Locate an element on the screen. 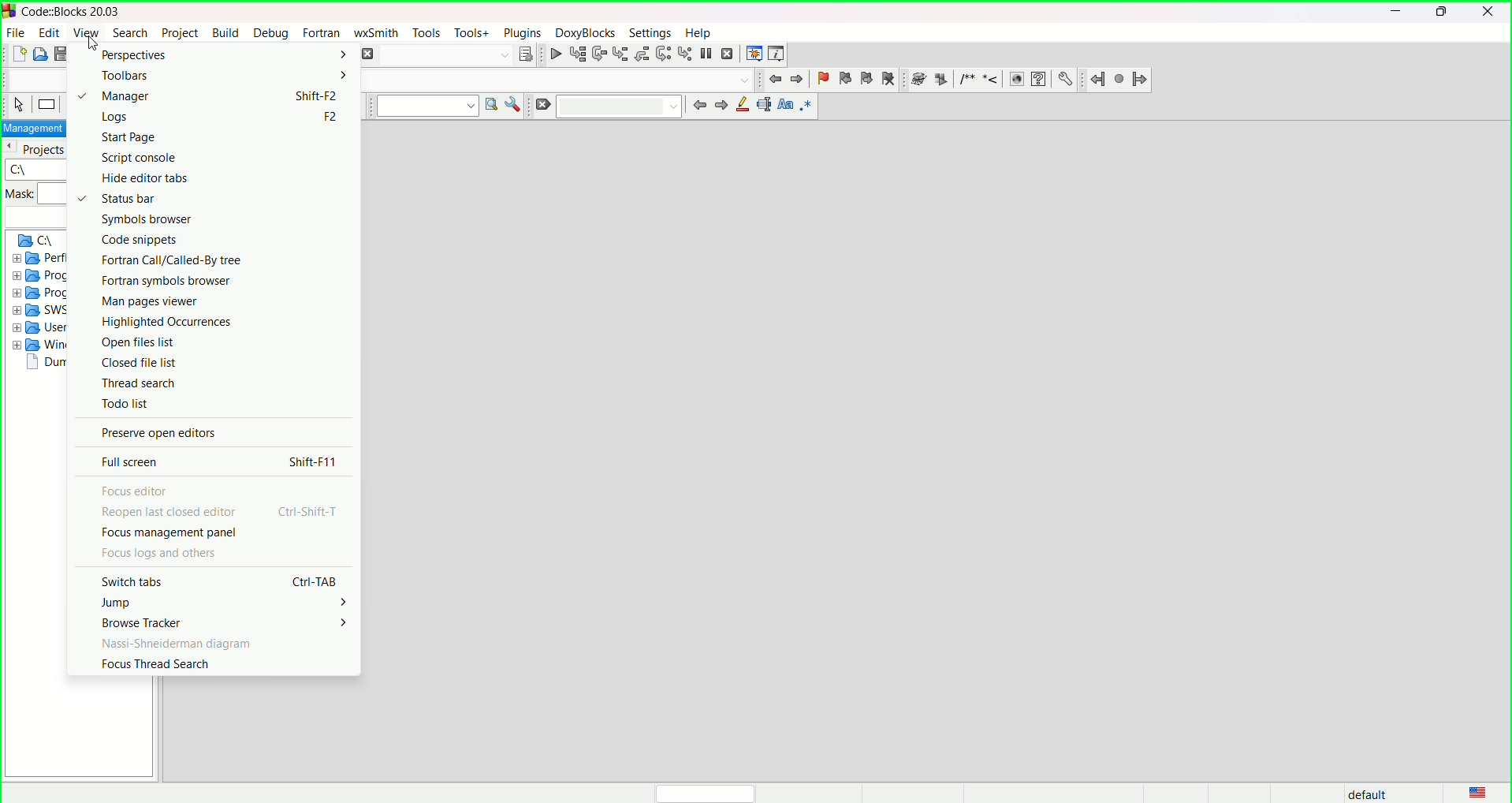 The height and width of the screenshot is (803, 1512). highlighted occurrences is located at coordinates (165, 321).